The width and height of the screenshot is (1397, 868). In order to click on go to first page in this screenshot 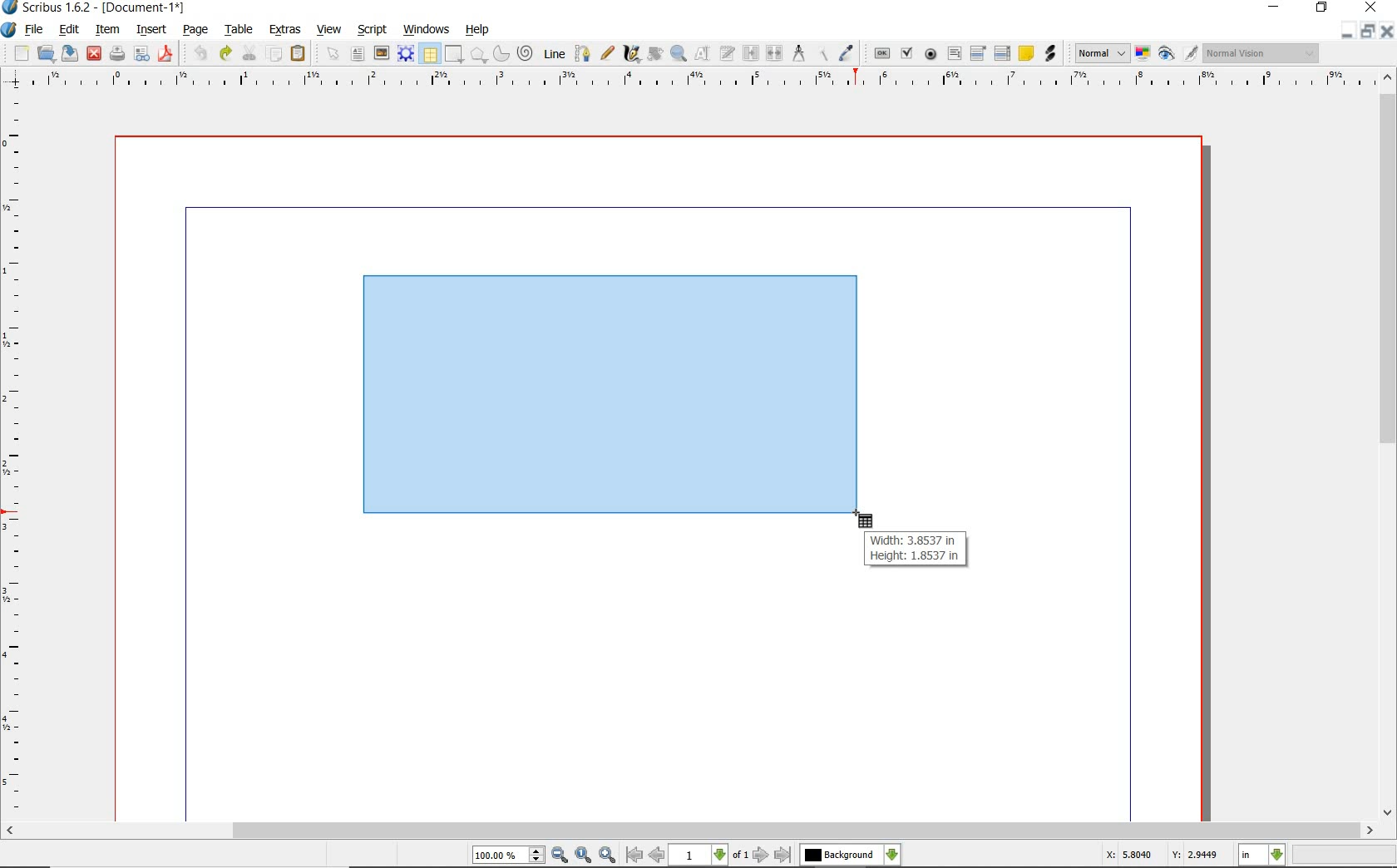, I will do `click(634, 856)`.